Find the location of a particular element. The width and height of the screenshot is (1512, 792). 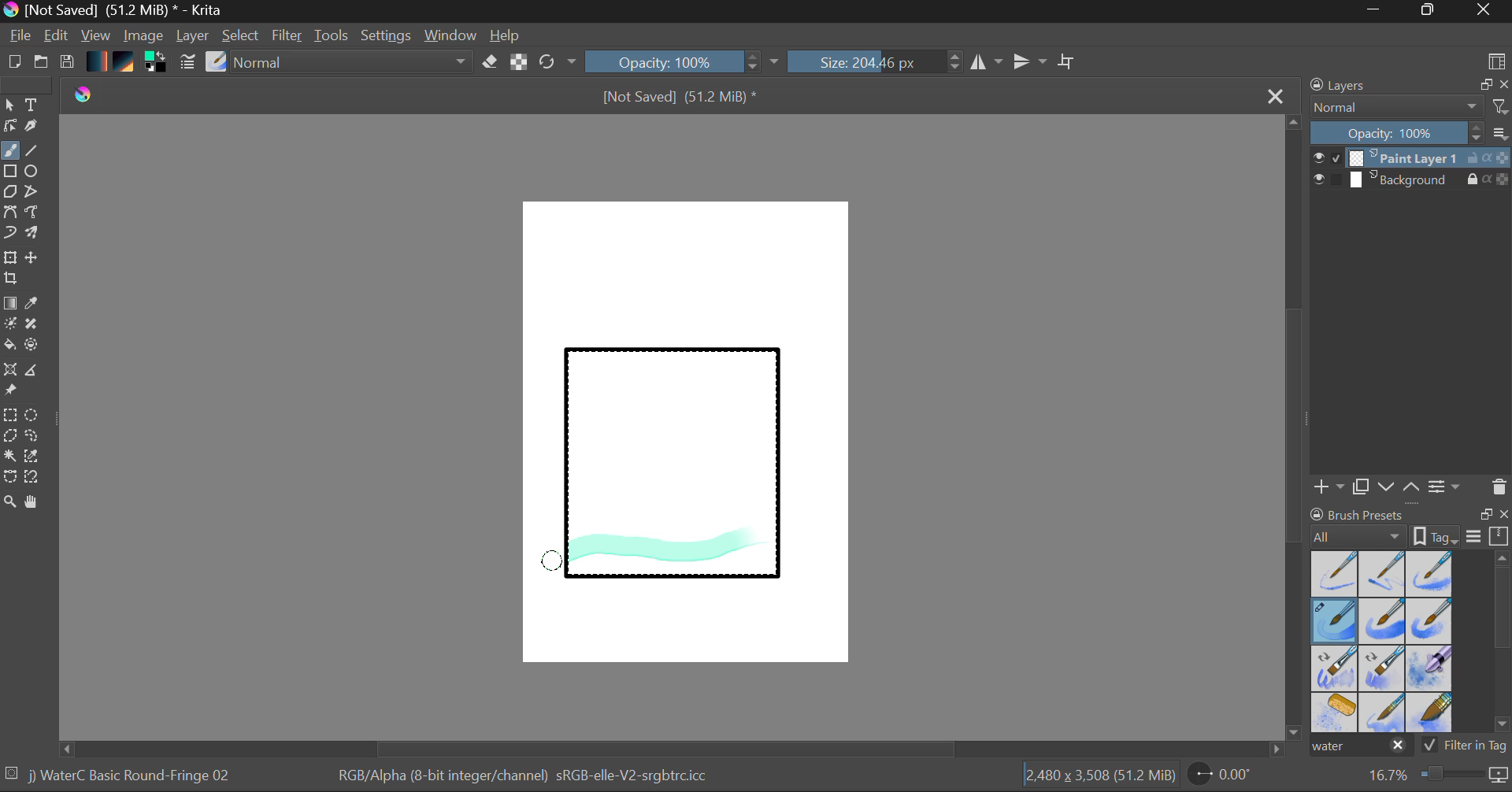

Polygon Selection Tool is located at coordinates (9, 436).